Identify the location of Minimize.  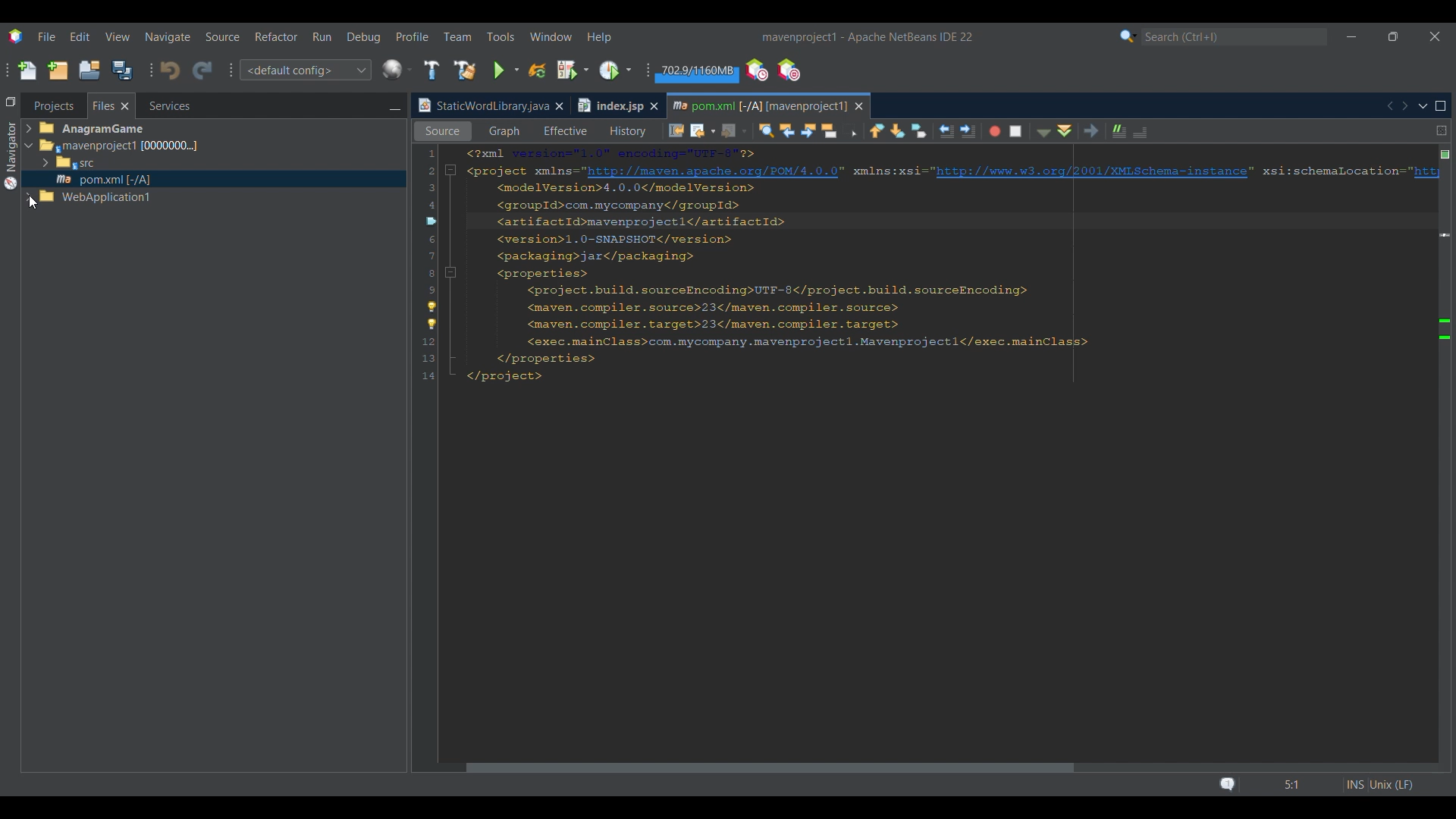
(1351, 37).